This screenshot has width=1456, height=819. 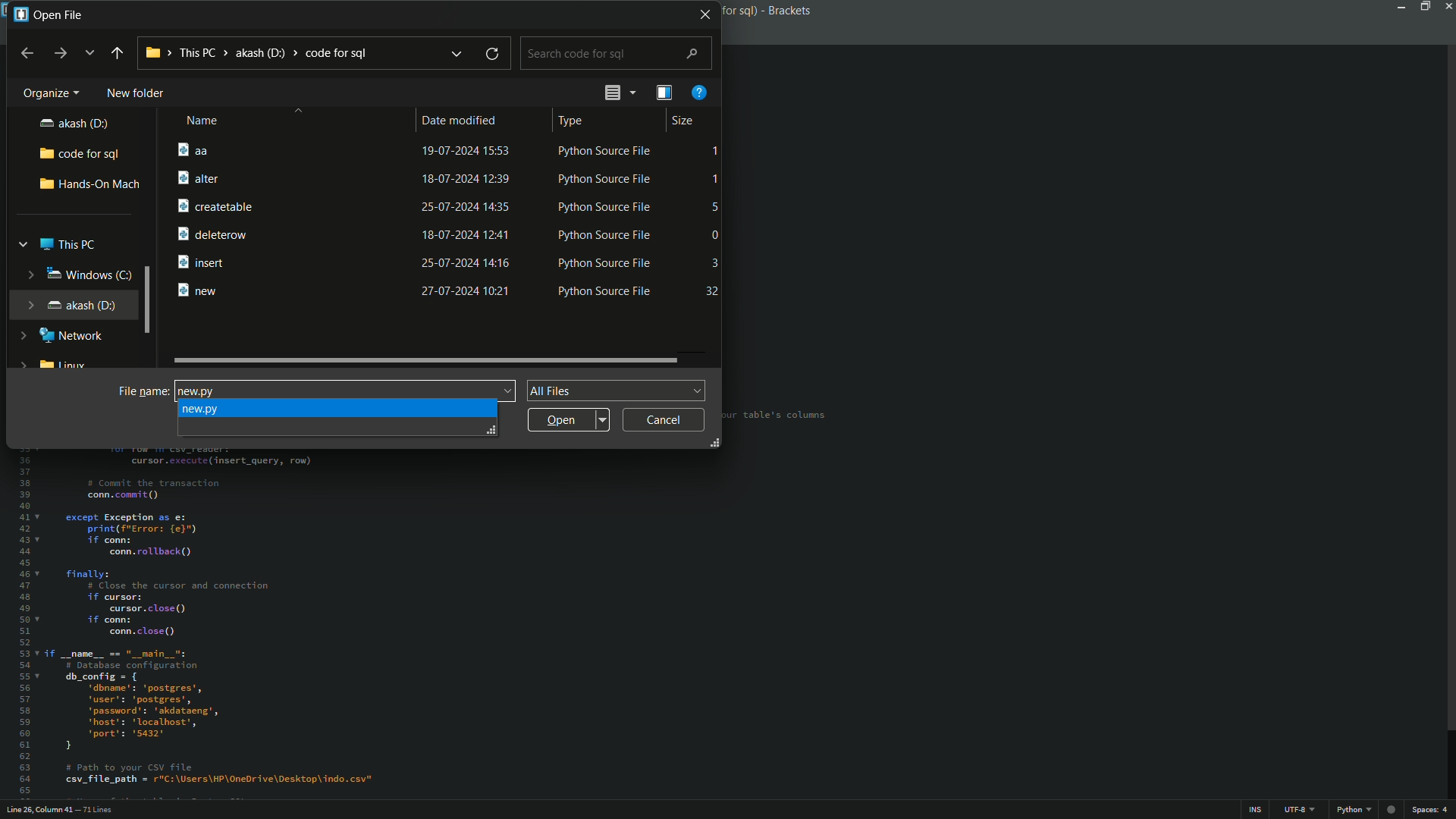 What do you see at coordinates (682, 121) in the screenshot?
I see `size` at bounding box center [682, 121].